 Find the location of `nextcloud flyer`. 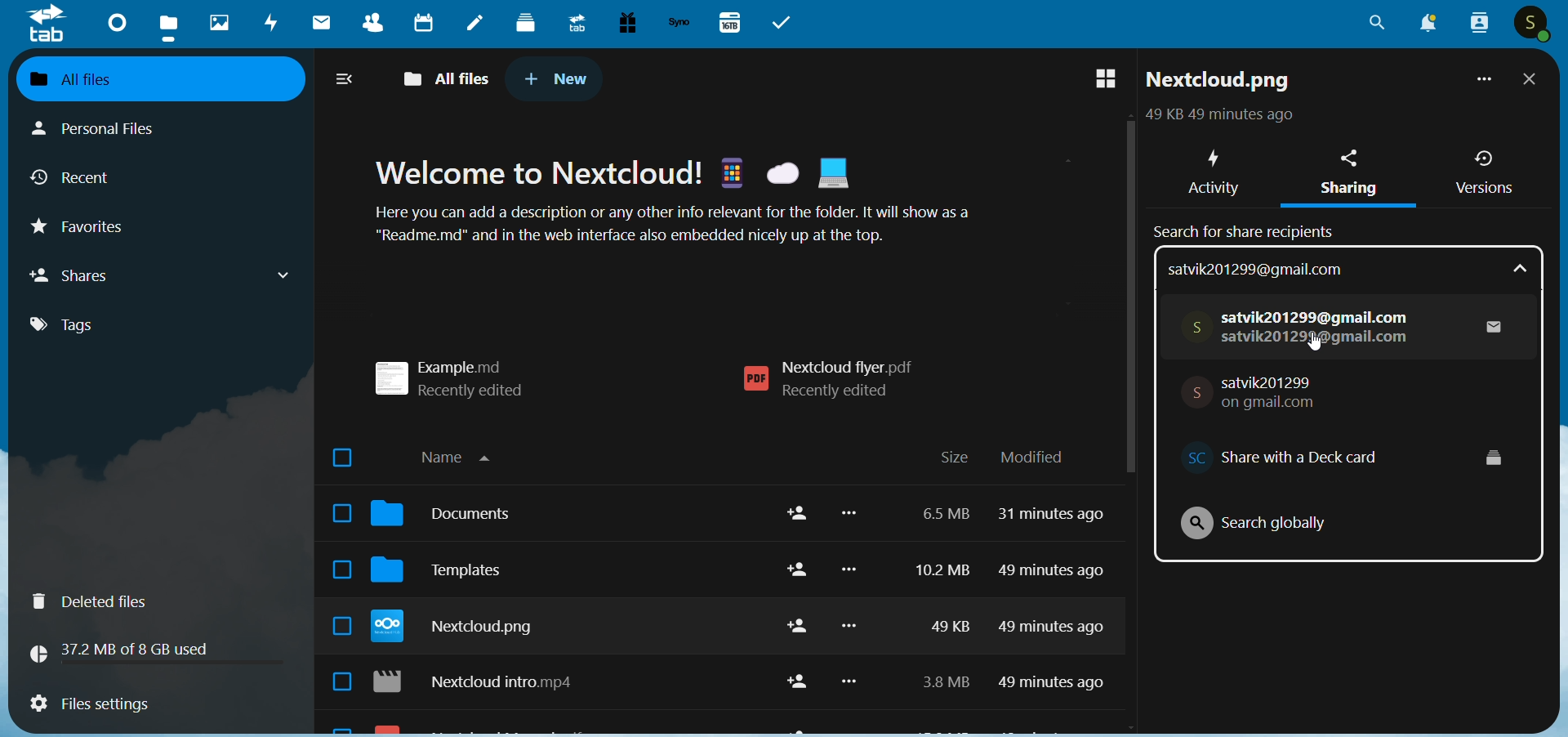

nextcloud flyer is located at coordinates (837, 380).